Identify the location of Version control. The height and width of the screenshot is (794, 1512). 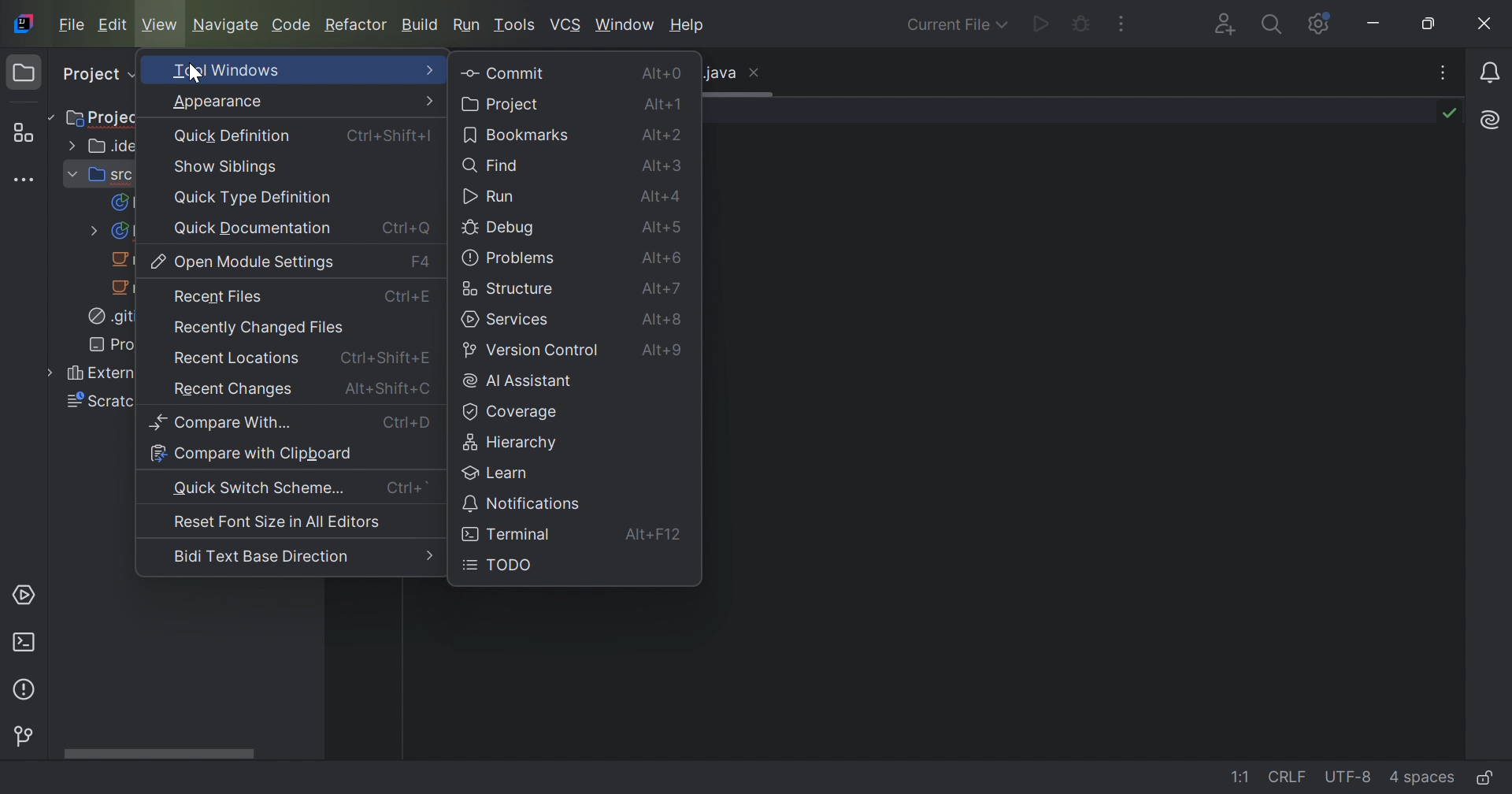
(27, 737).